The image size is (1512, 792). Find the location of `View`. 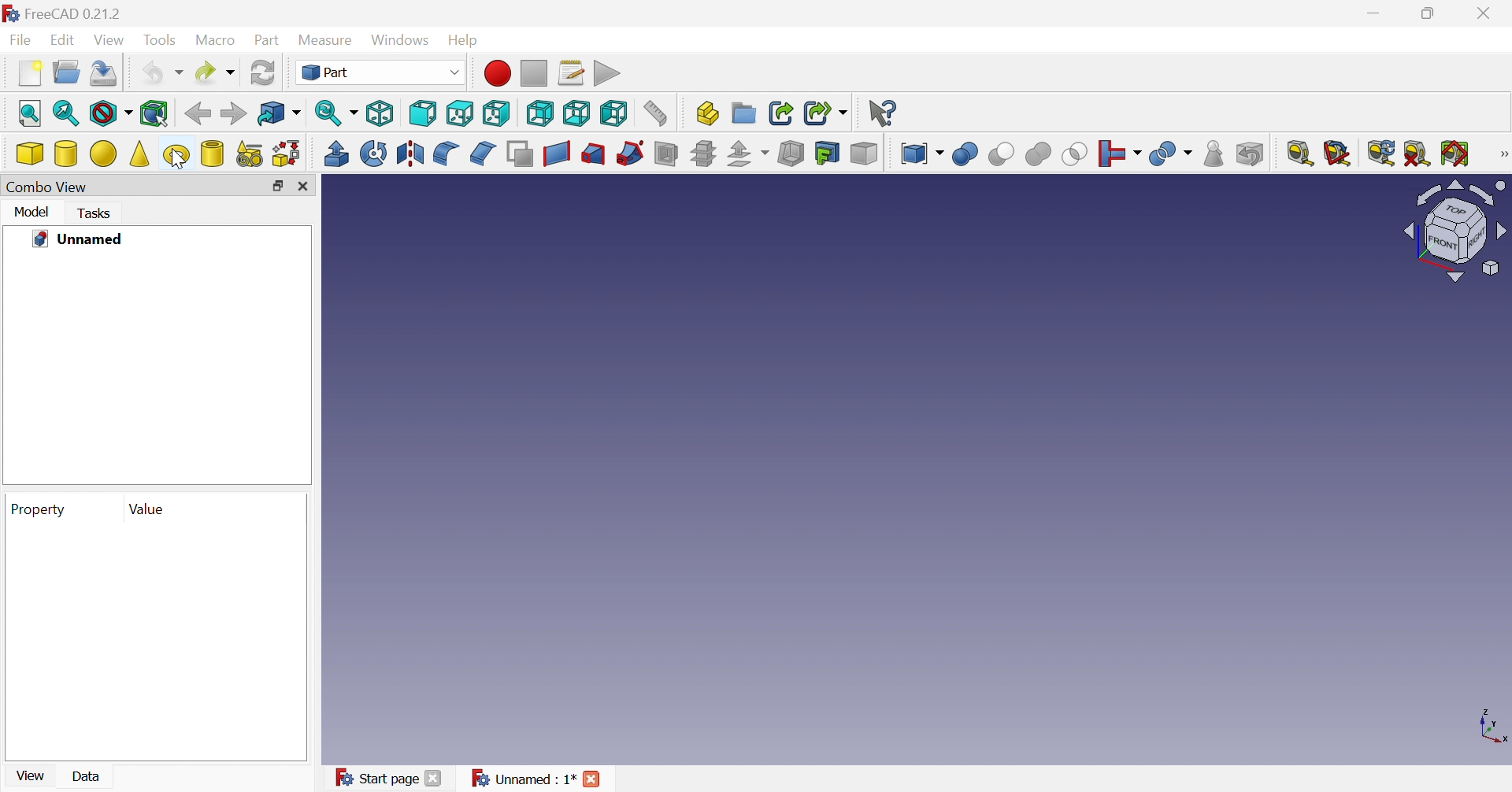

View is located at coordinates (29, 777).